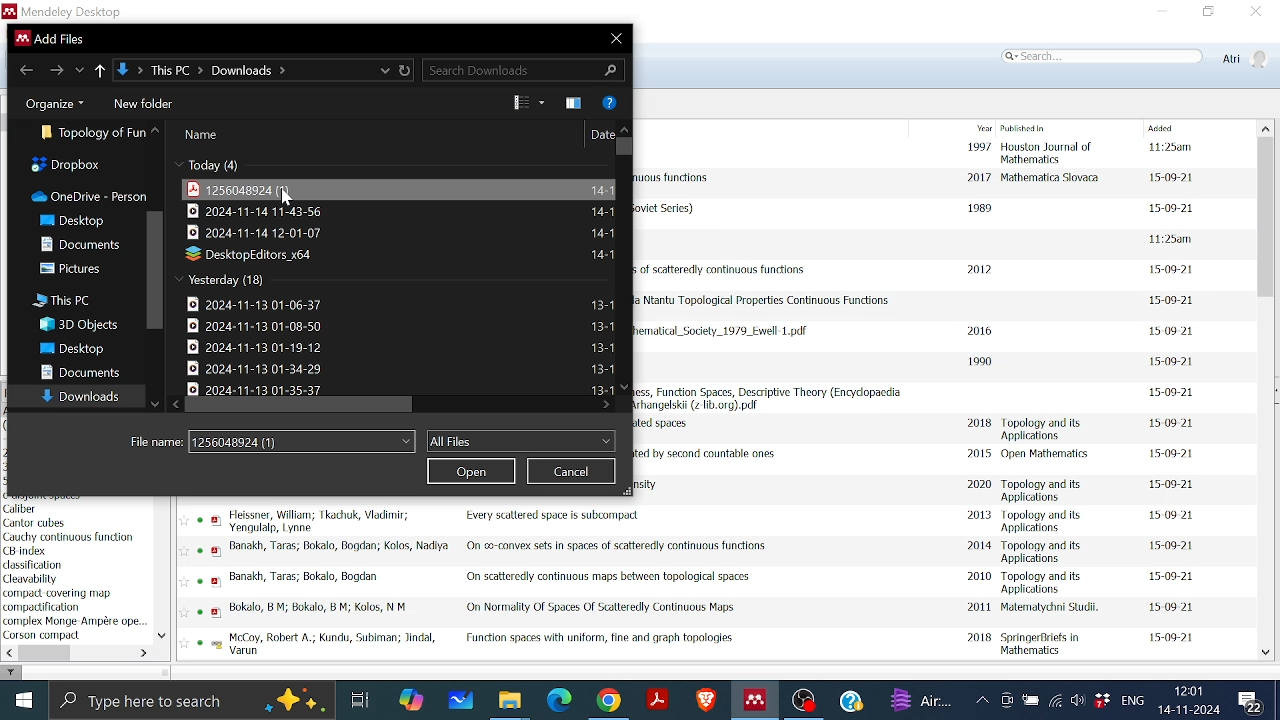 This screenshot has height=720, width=1280. What do you see at coordinates (1168, 269) in the screenshot?
I see `date` at bounding box center [1168, 269].